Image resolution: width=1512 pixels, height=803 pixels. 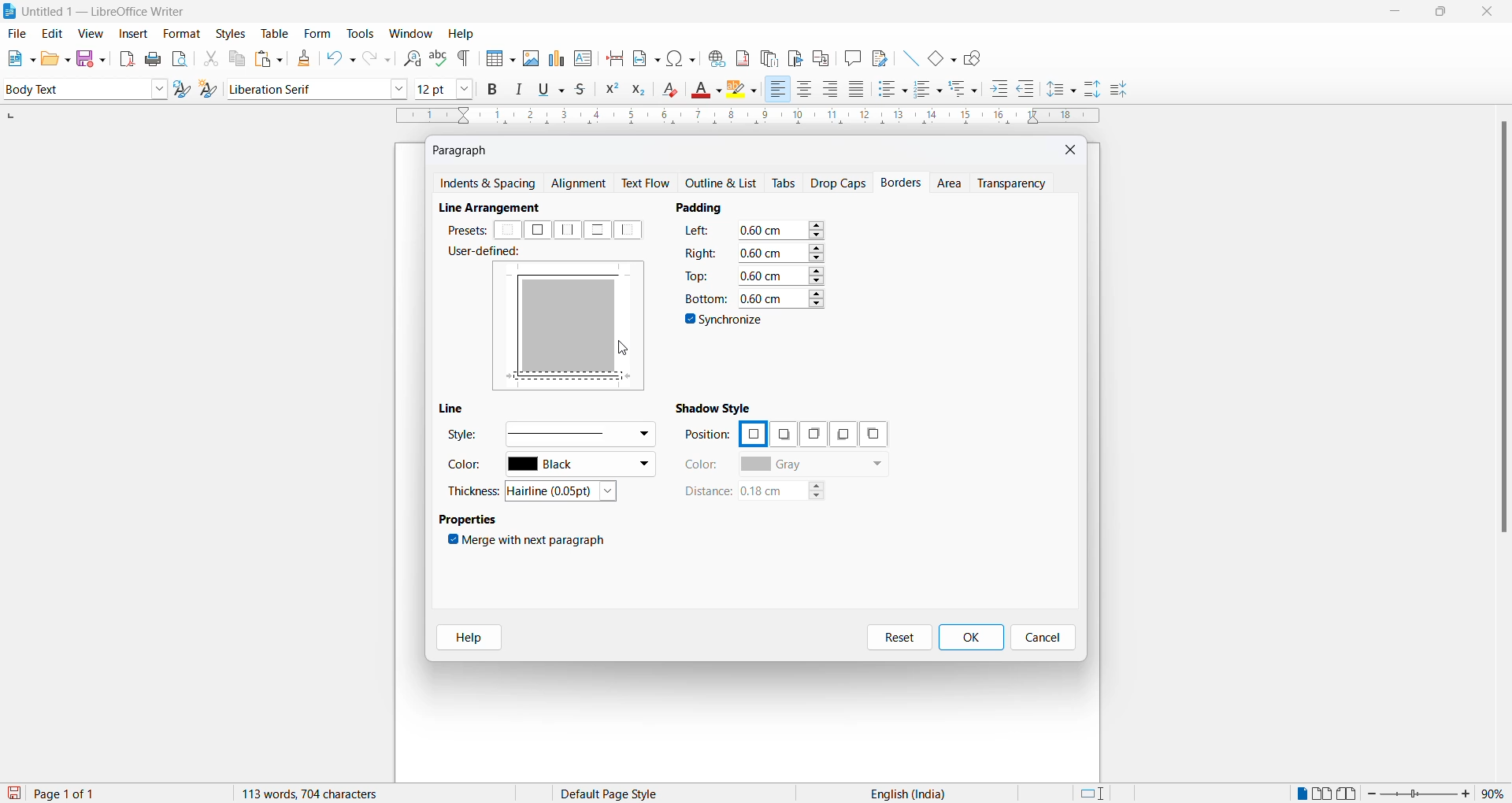 I want to click on user defined, so click(x=489, y=253).